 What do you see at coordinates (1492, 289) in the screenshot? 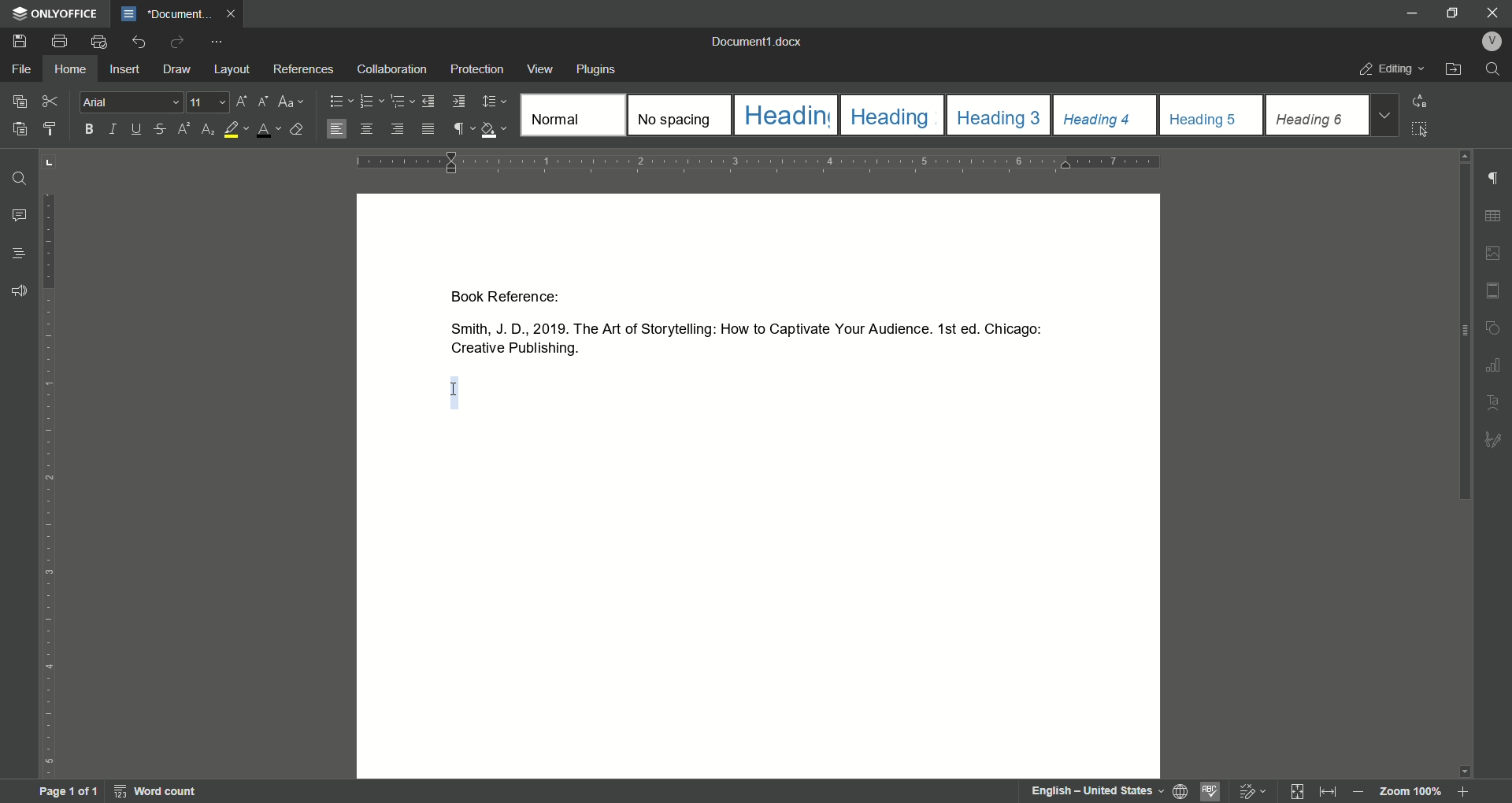
I see `slide` at bounding box center [1492, 289].